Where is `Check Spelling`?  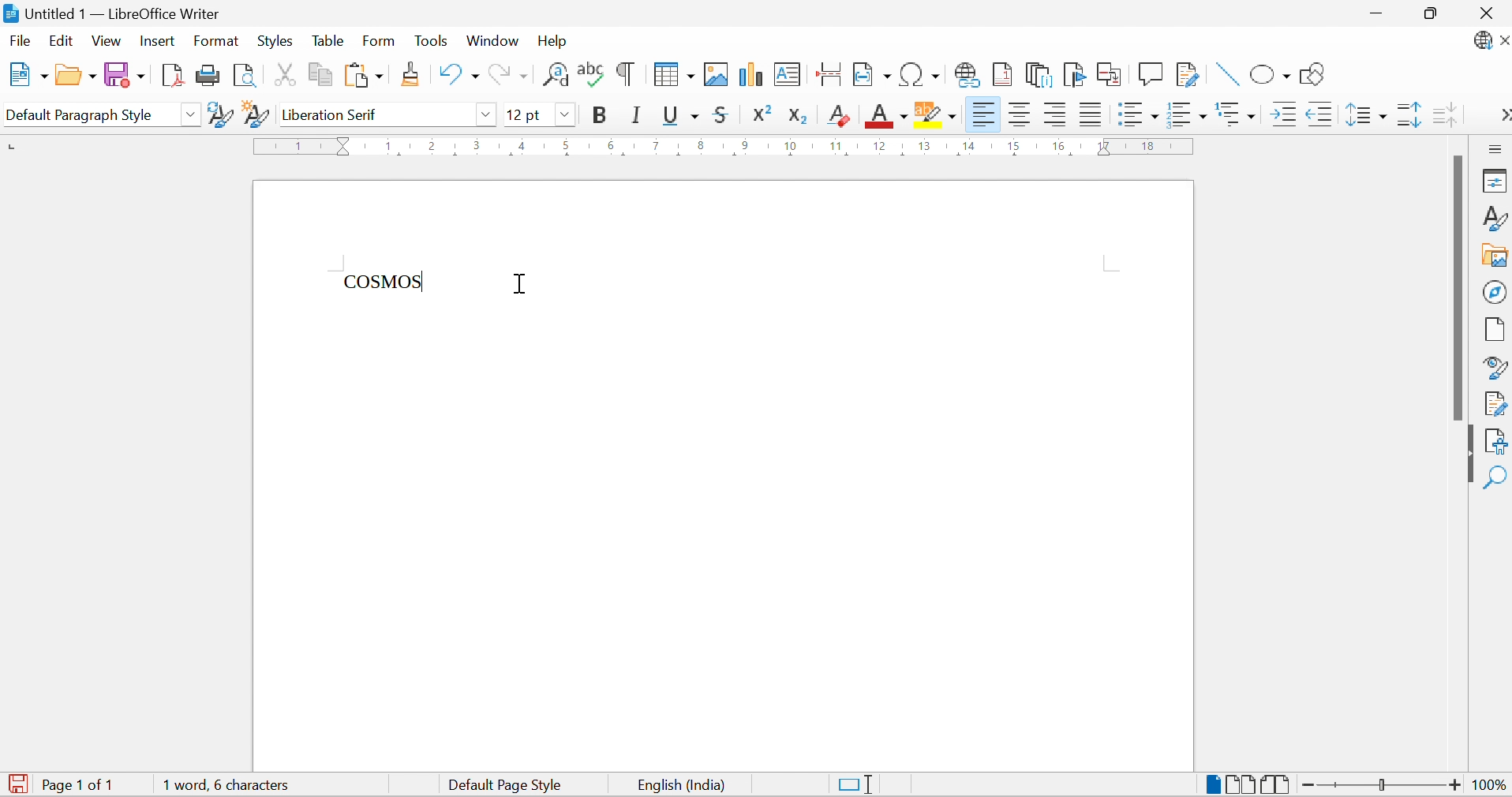 Check Spelling is located at coordinates (591, 75).